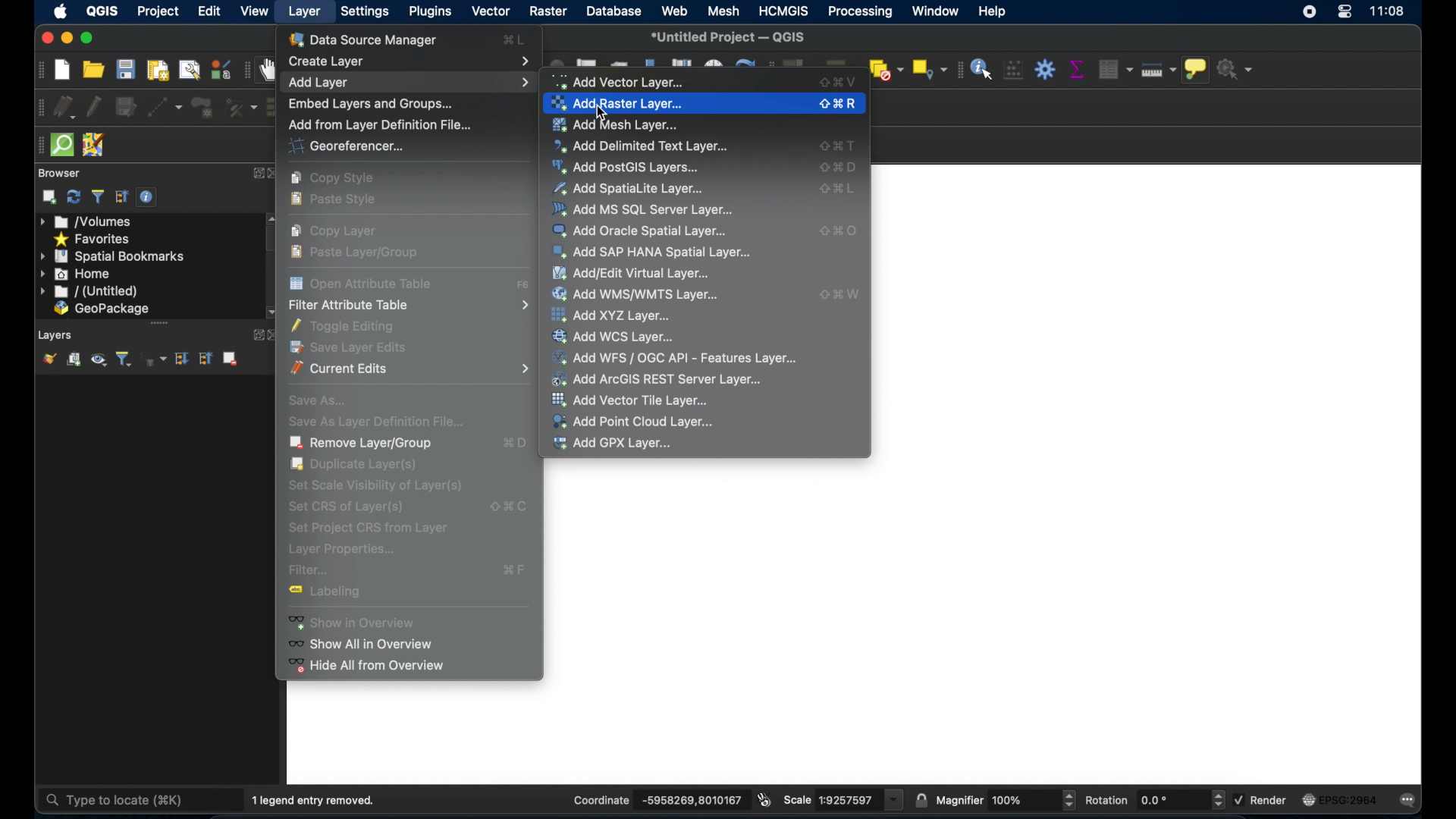  Describe the element at coordinates (1076, 69) in the screenshot. I see `show statistical summary` at that location.